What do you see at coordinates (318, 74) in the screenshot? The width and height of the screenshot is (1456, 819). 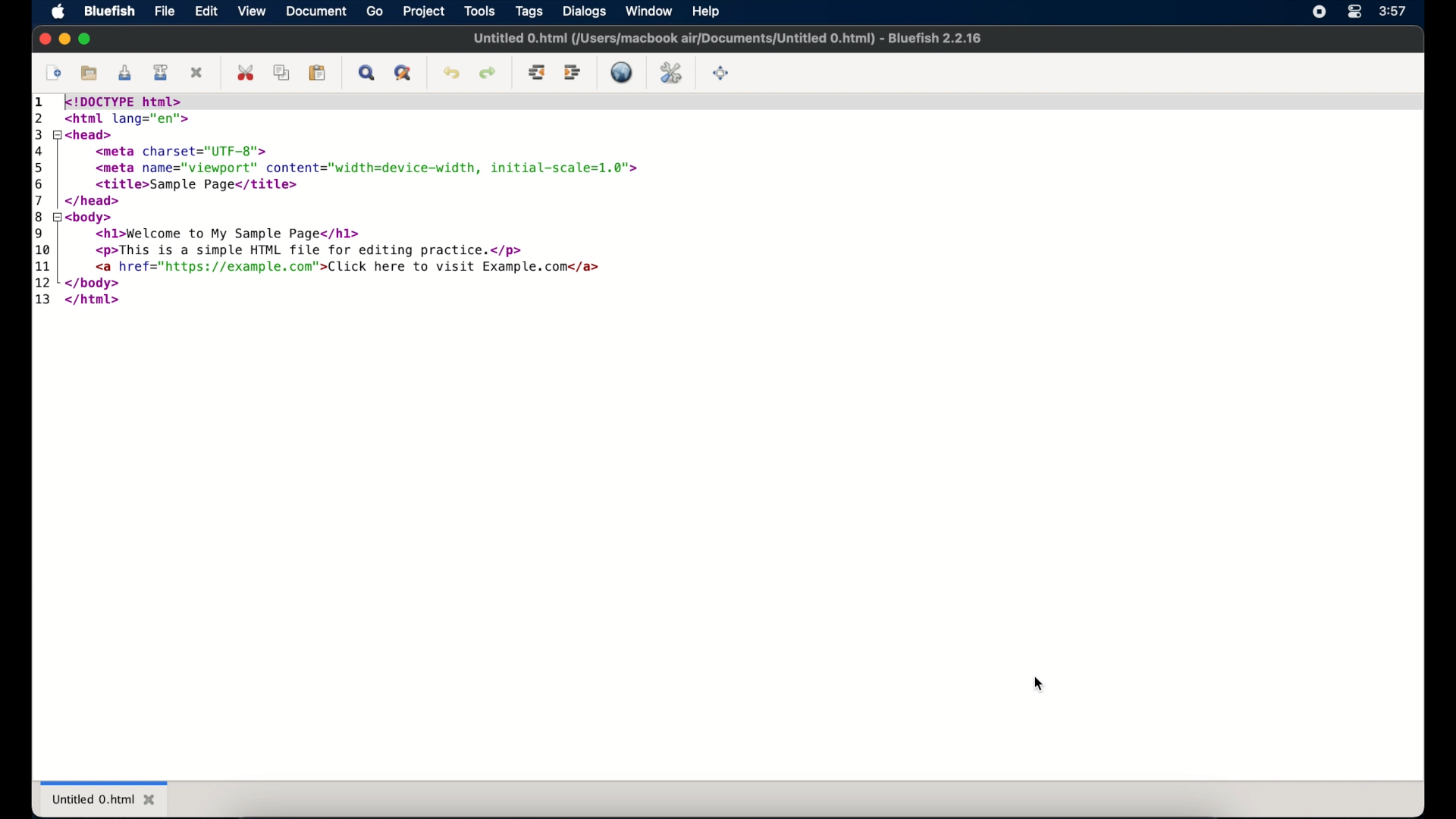 I see `paste` at bounding box center [318, 74].